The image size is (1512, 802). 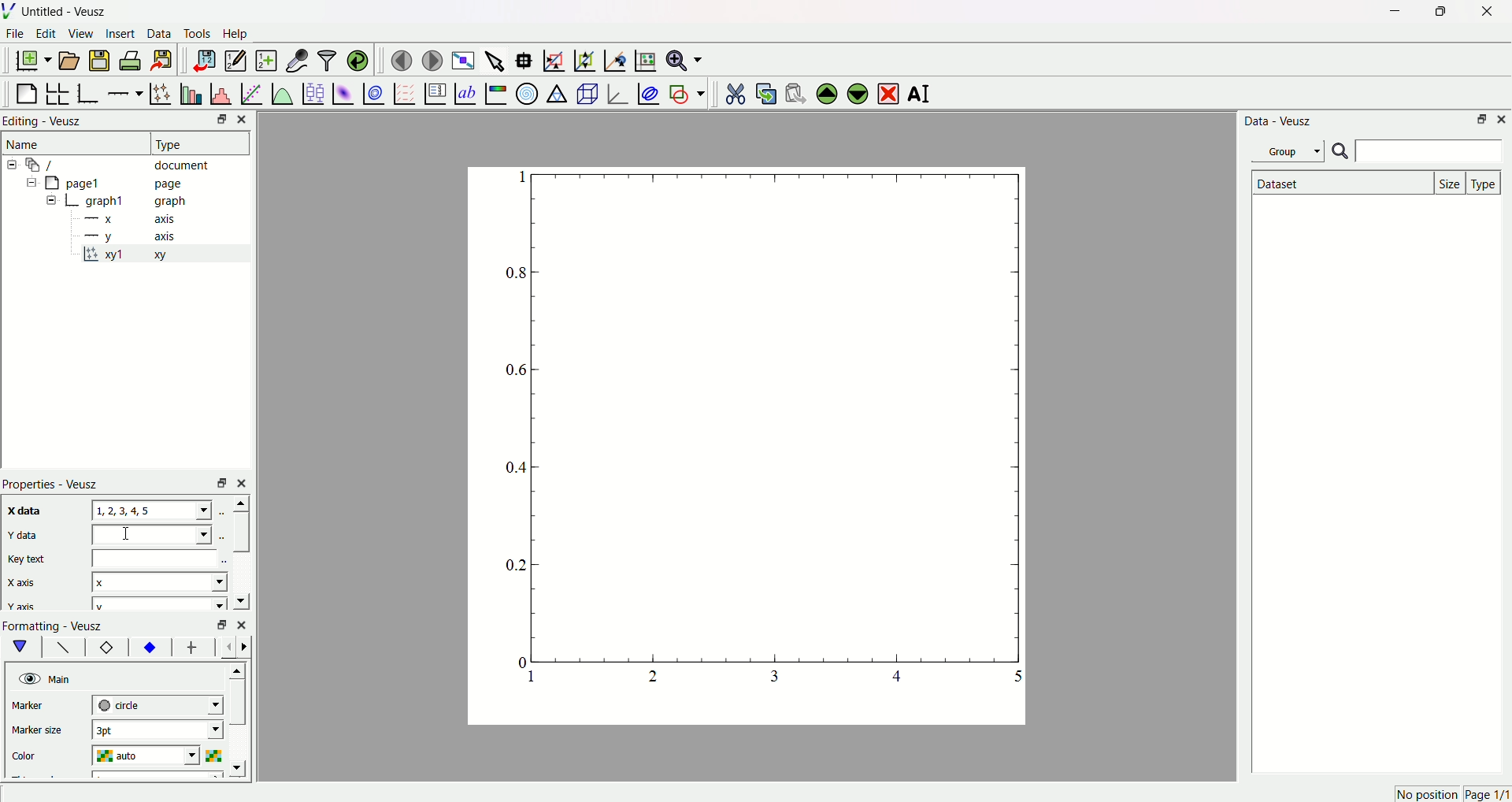 What do you see at coordinates (198, 35) in the screenshot?
I see `Tools` at bounding box center [198, 35].